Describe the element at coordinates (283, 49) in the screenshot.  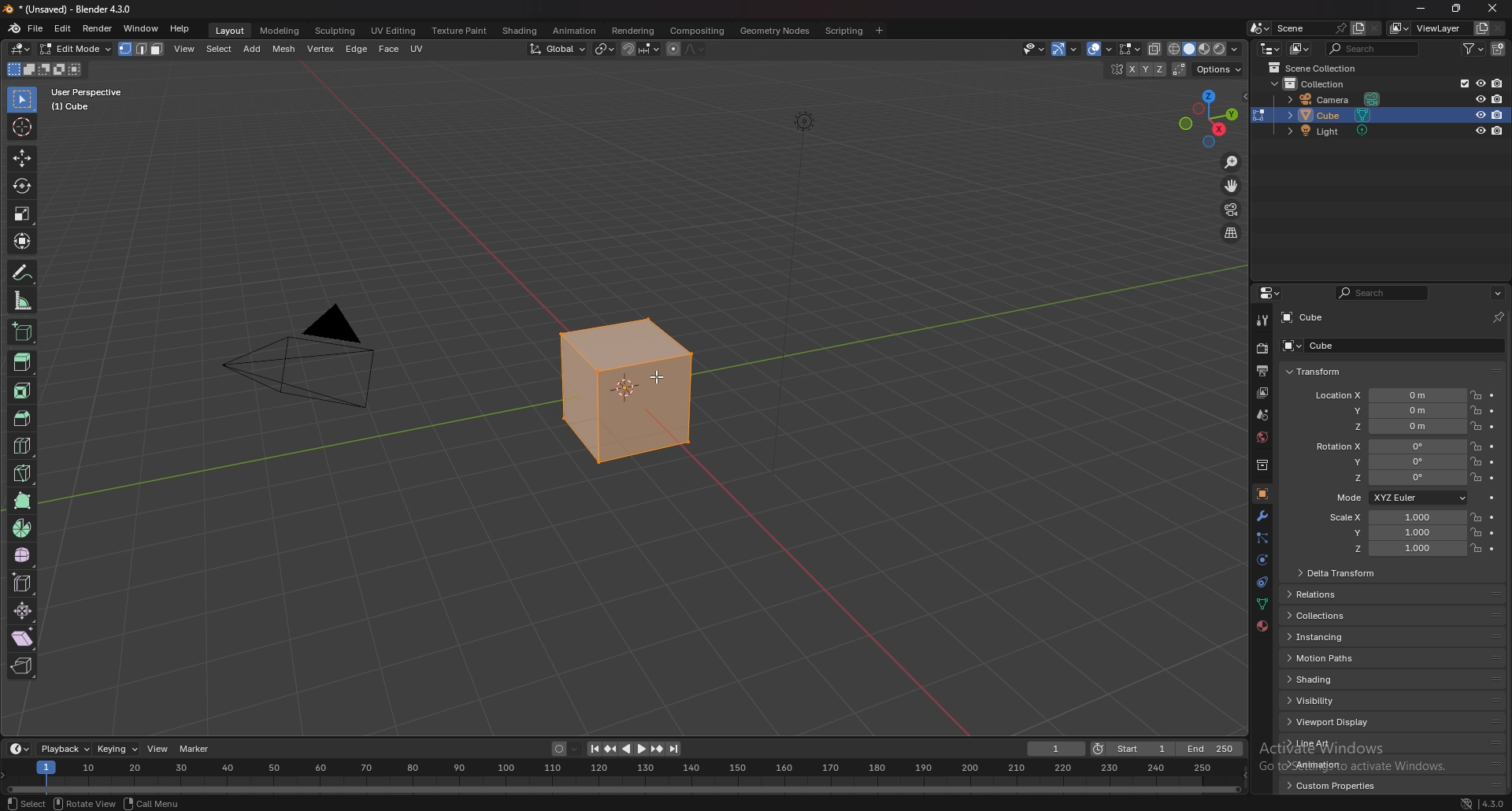
I see `mesh` at that location.